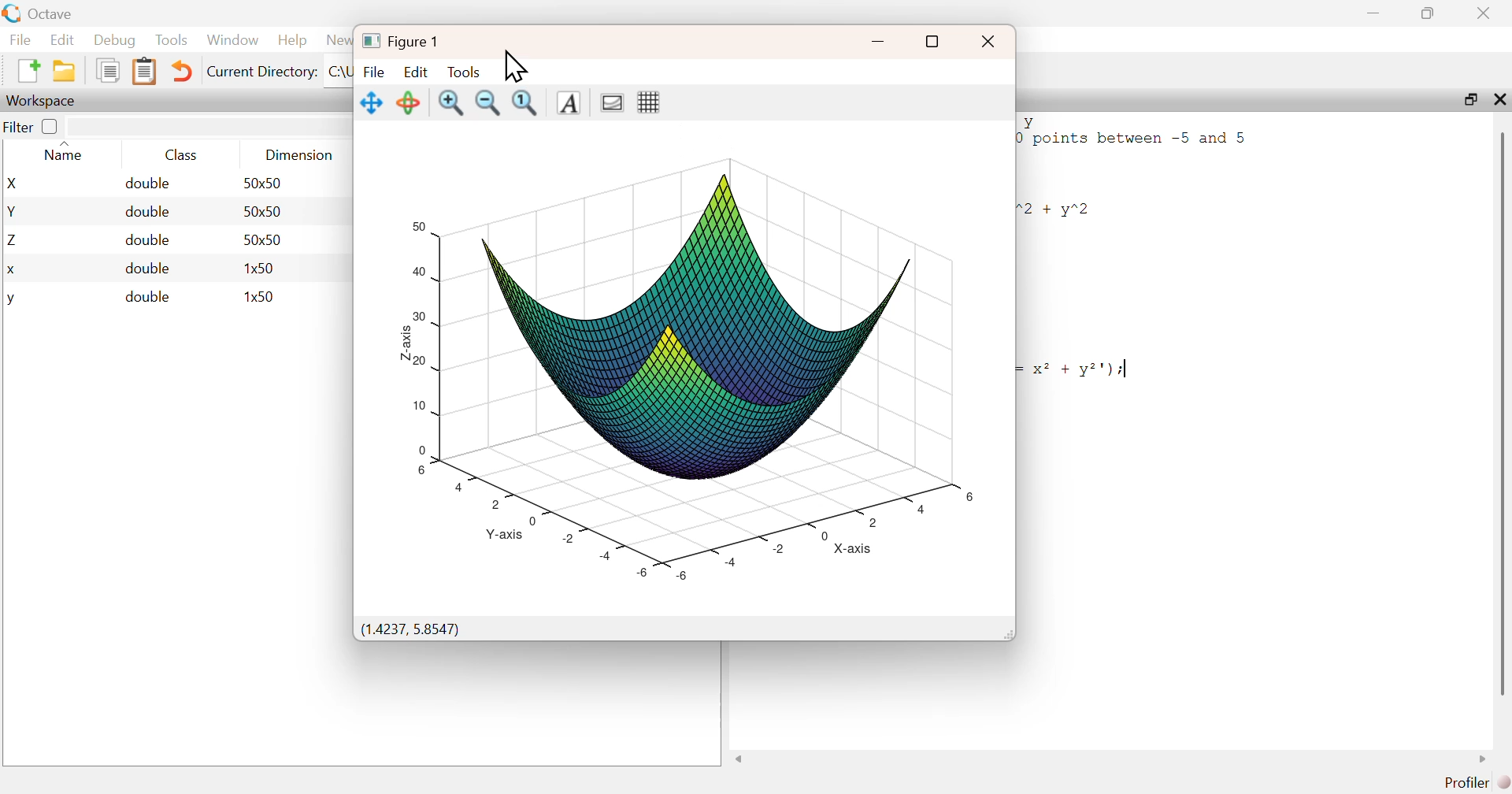 This screenshot has height=794, width=1512. What do you see at coordinates (143, 72) in the screenshot?
I see `Clipboard` at bounding box center [143, 72].